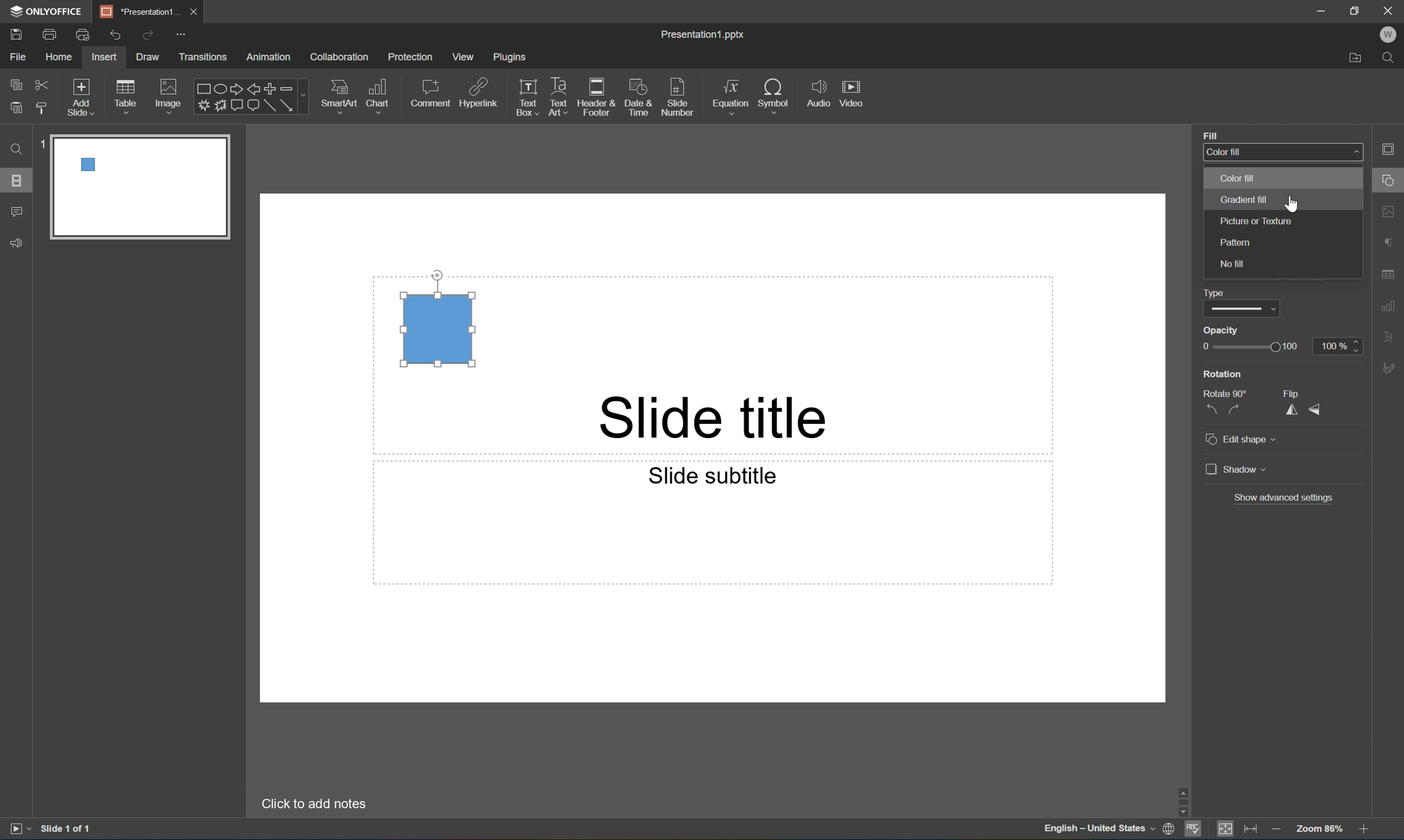 The height and width of the screenshot is (840, 1404). Describe the element at coordinates (1294, 204) in the screenshot. I see `Cursor` at that location.